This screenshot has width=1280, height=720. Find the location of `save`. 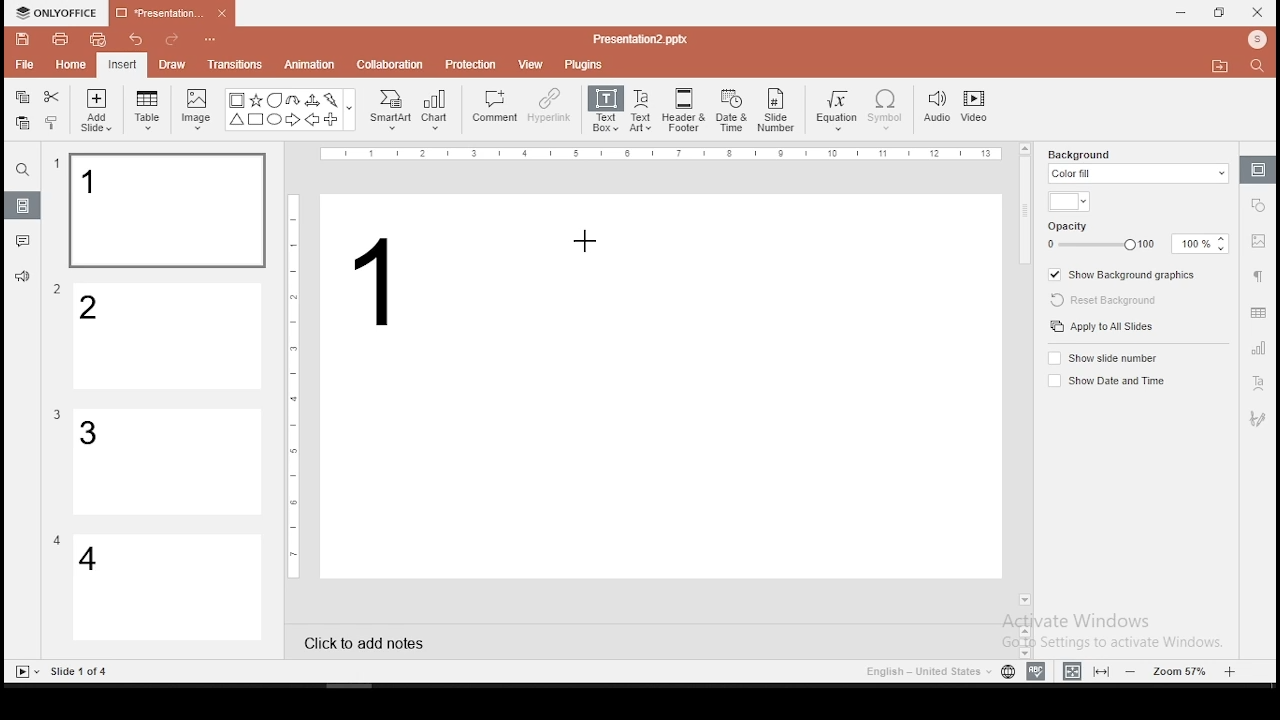

save is located at coordinates (23, 38).